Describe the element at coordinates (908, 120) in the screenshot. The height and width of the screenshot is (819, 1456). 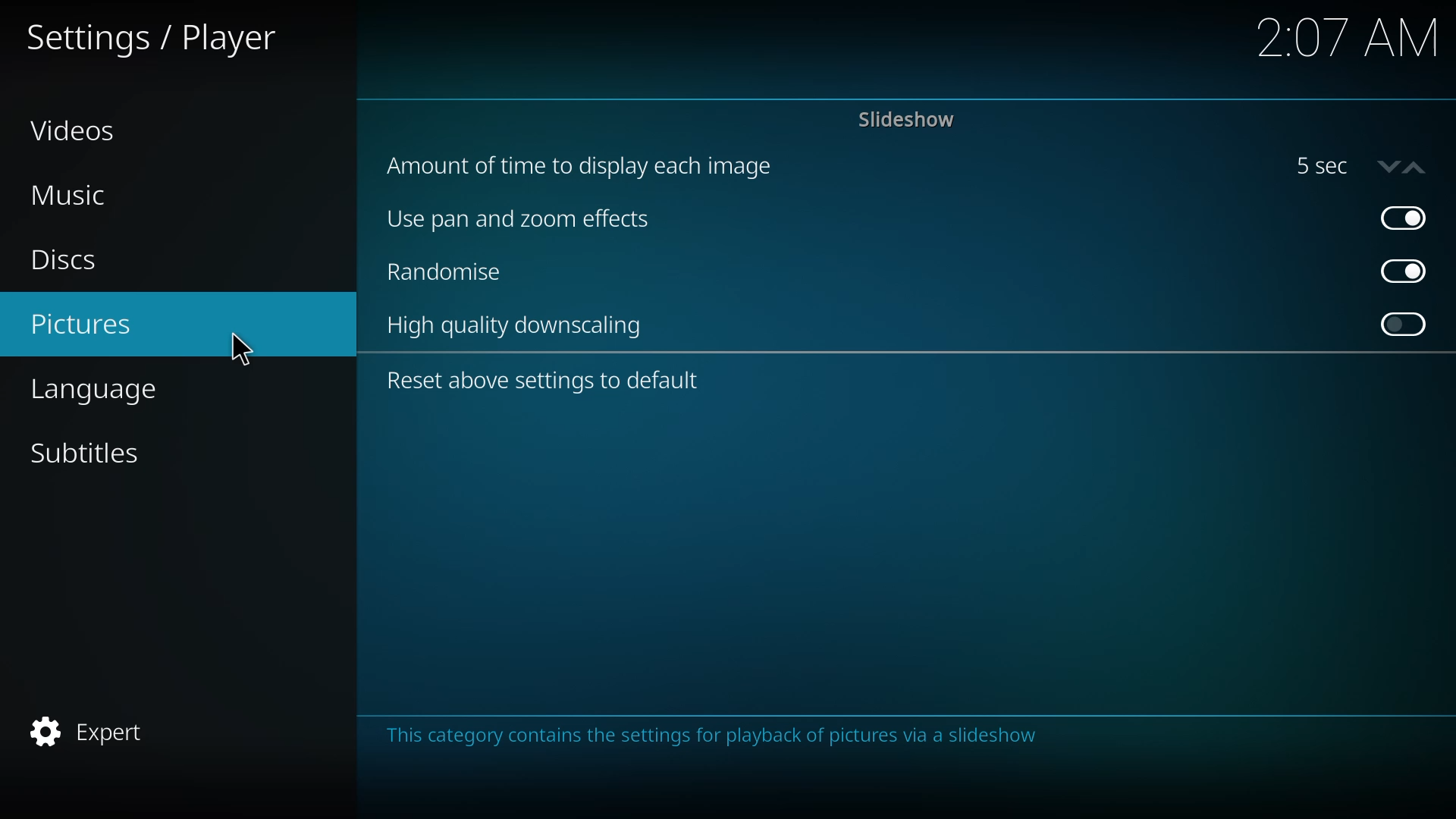
I see `slideshow` at that location.